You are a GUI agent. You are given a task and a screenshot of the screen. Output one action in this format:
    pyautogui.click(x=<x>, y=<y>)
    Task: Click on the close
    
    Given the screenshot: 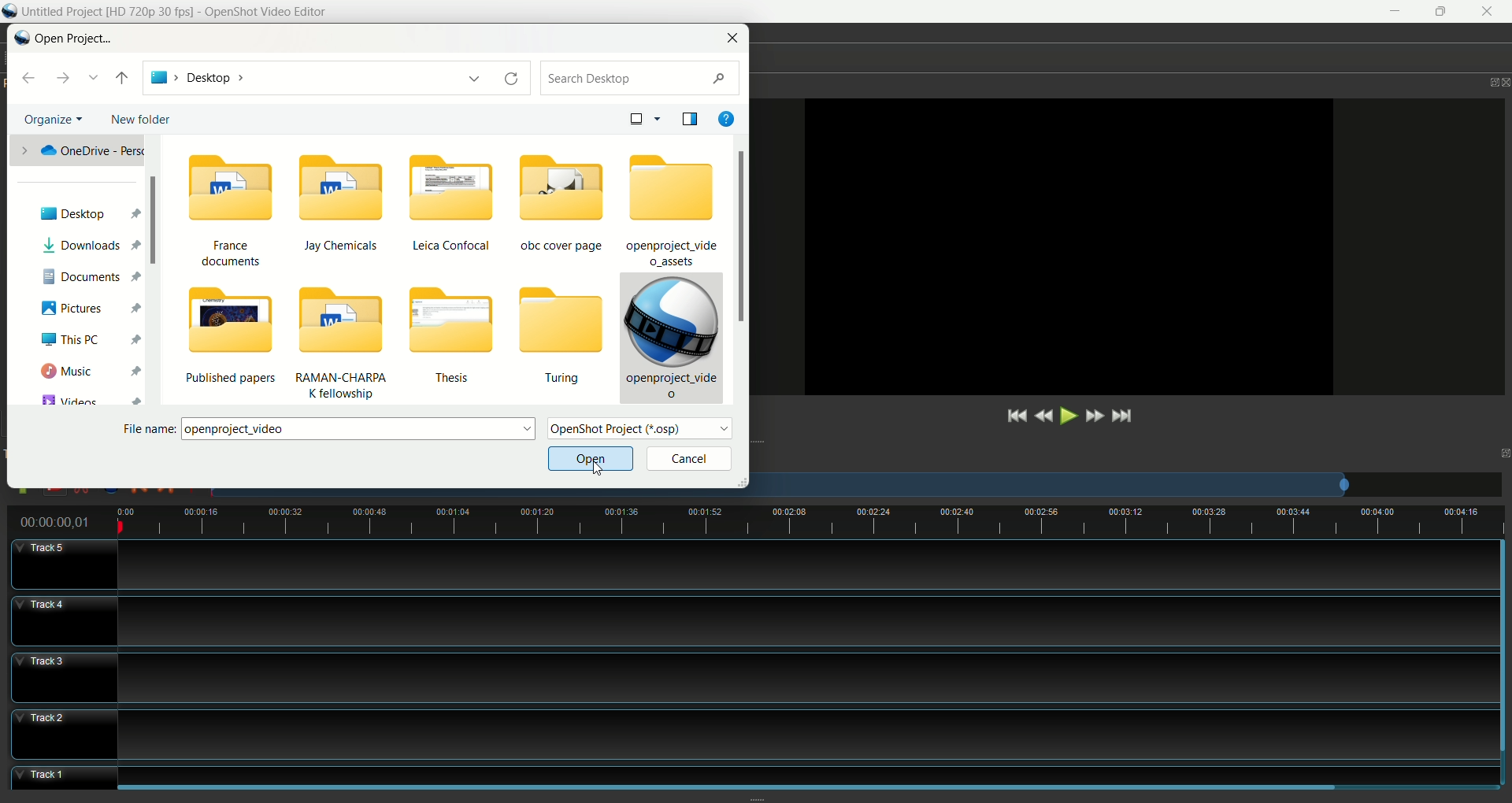 What is the action you would take?
    pyautogui.click(x=734, y=37)
    